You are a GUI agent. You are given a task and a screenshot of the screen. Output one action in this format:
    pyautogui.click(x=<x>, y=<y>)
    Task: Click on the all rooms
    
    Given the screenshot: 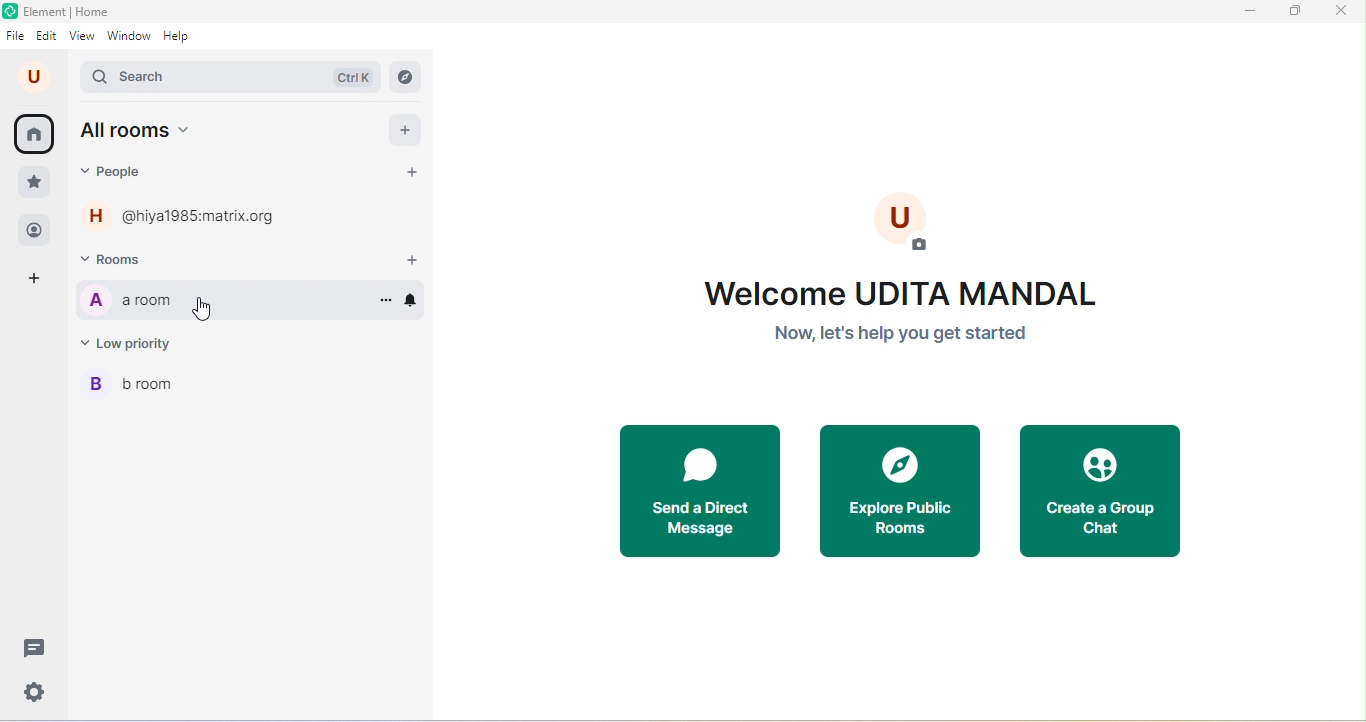 What is the action you would take?
    pyautogui.click(x=141, y=130)
    